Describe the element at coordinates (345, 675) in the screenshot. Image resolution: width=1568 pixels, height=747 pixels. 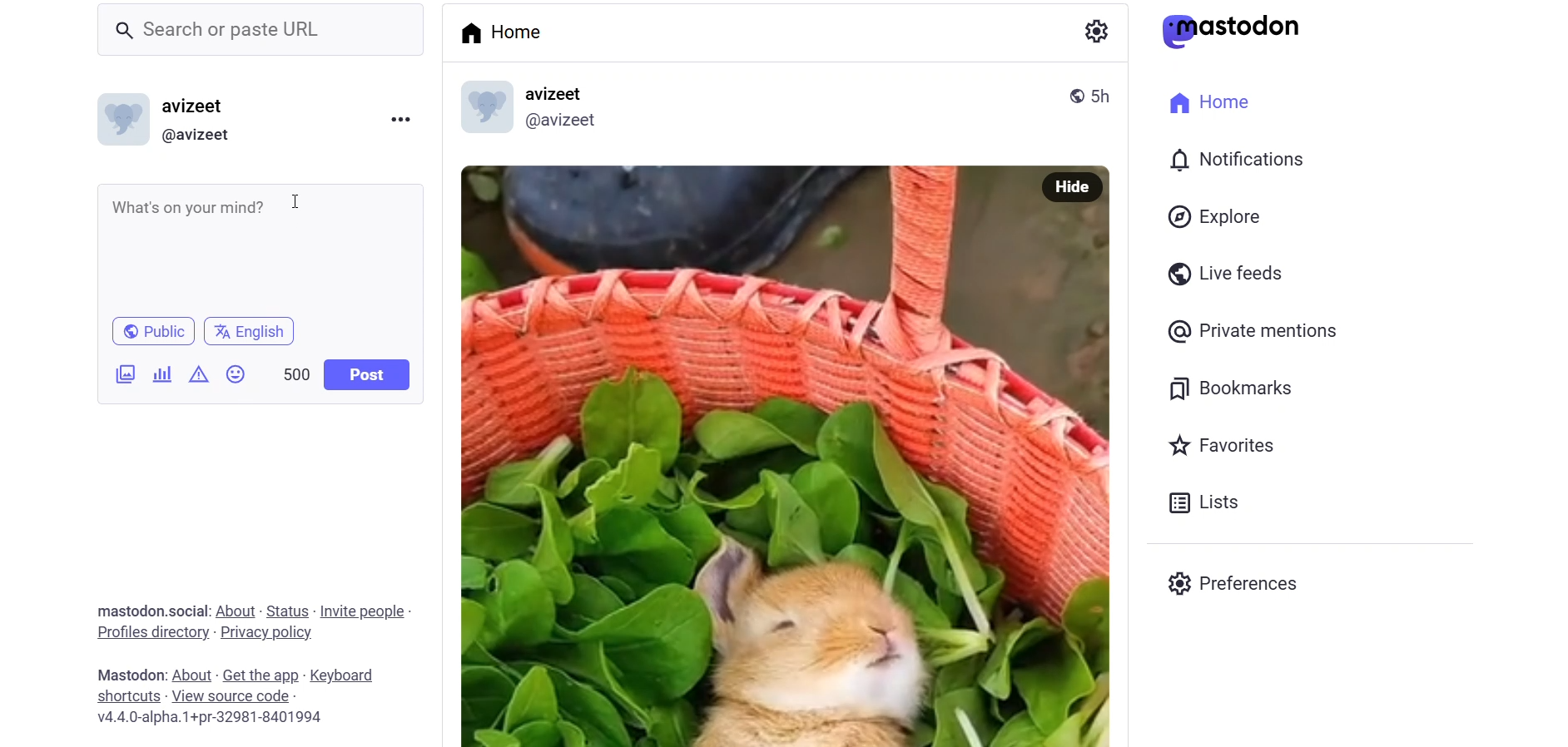
I see `keyboard` at that location.